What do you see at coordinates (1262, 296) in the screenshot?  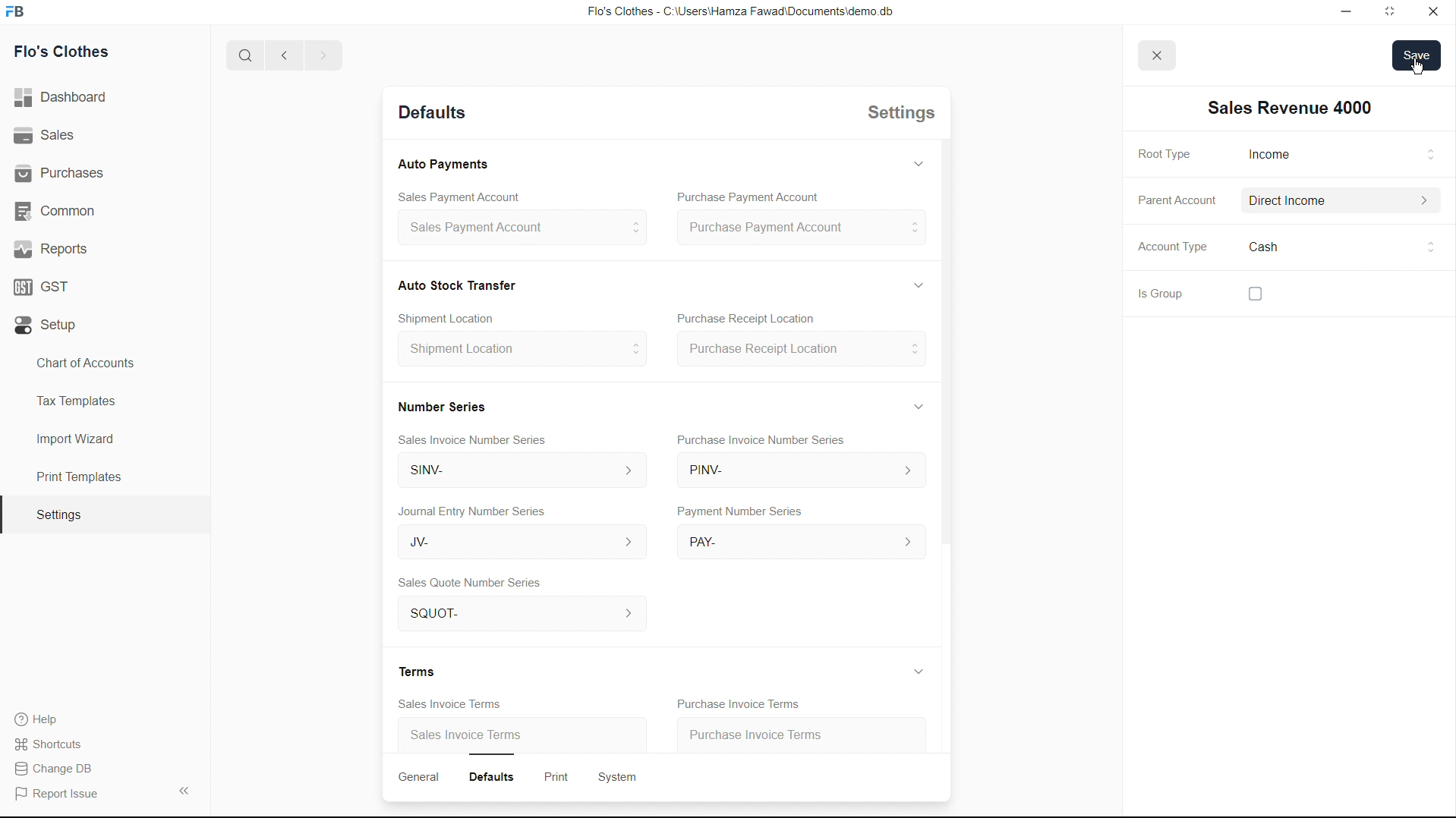 I see `checkbox` at bounding box center [1262, 296].